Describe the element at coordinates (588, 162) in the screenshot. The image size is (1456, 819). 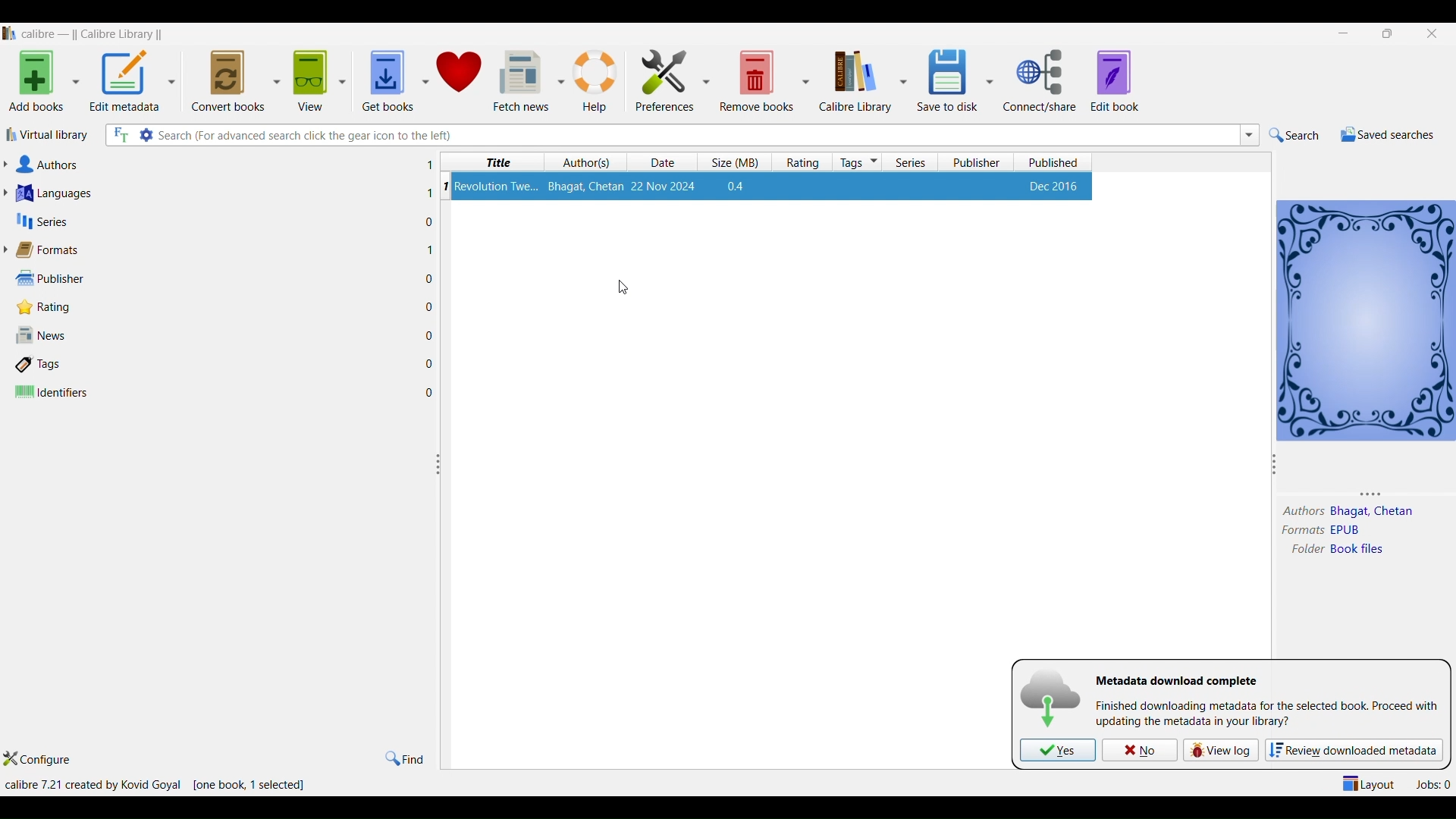
I see `authors` at that location.